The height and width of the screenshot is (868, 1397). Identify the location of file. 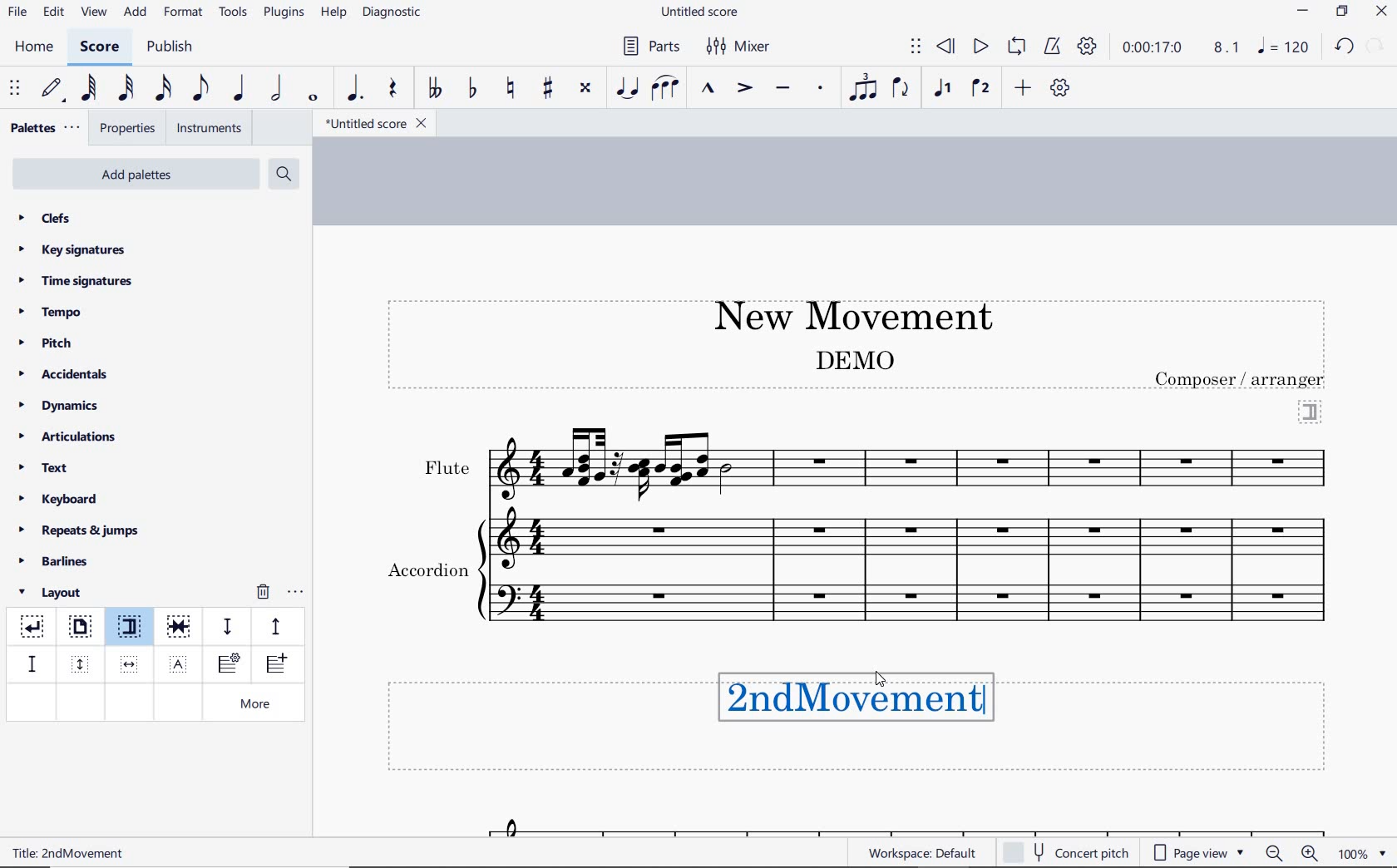
(17, 15).